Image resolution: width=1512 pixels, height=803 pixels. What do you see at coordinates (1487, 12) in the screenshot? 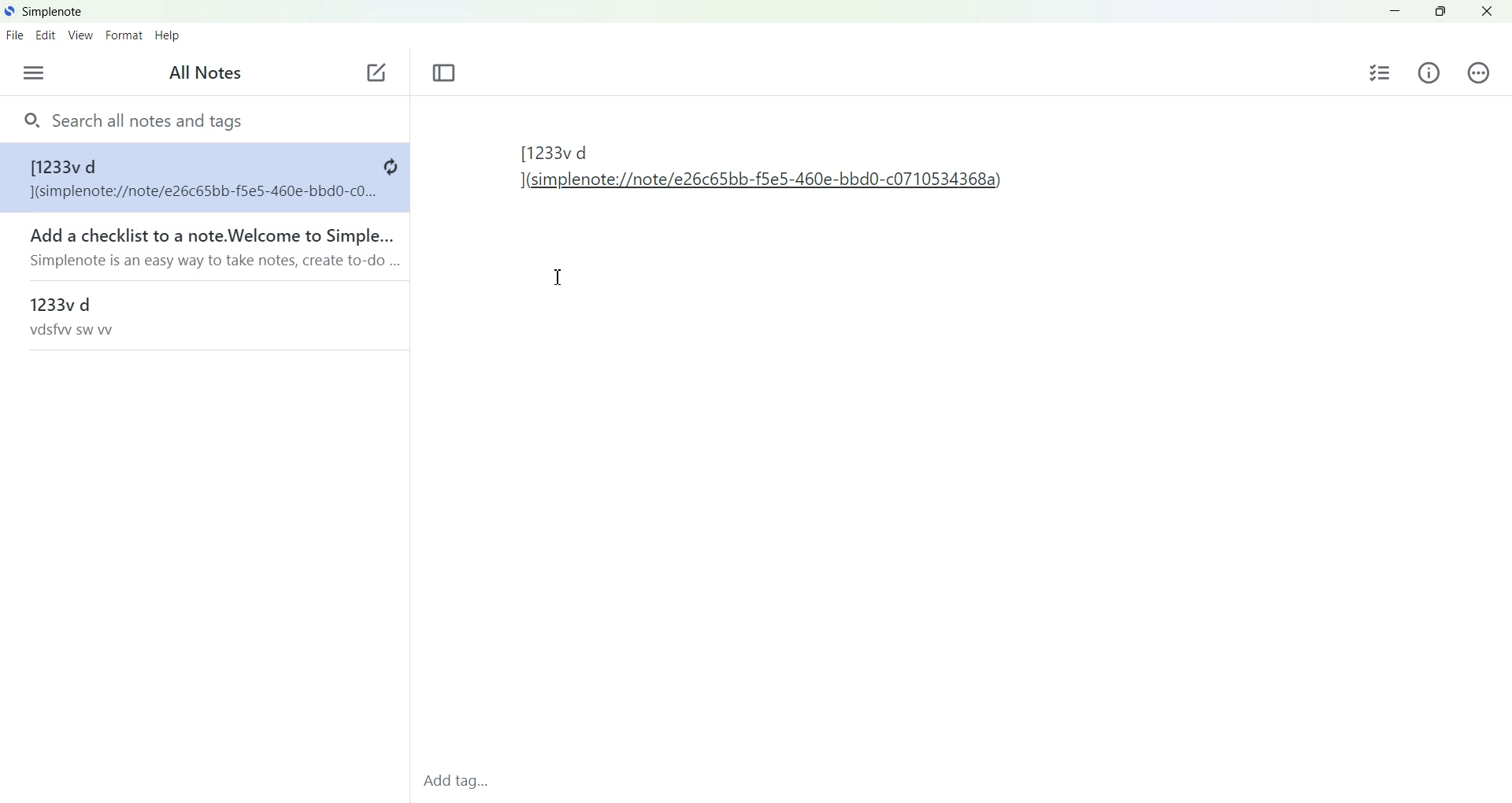
I see `Close` at bounding box center [1487, 12].